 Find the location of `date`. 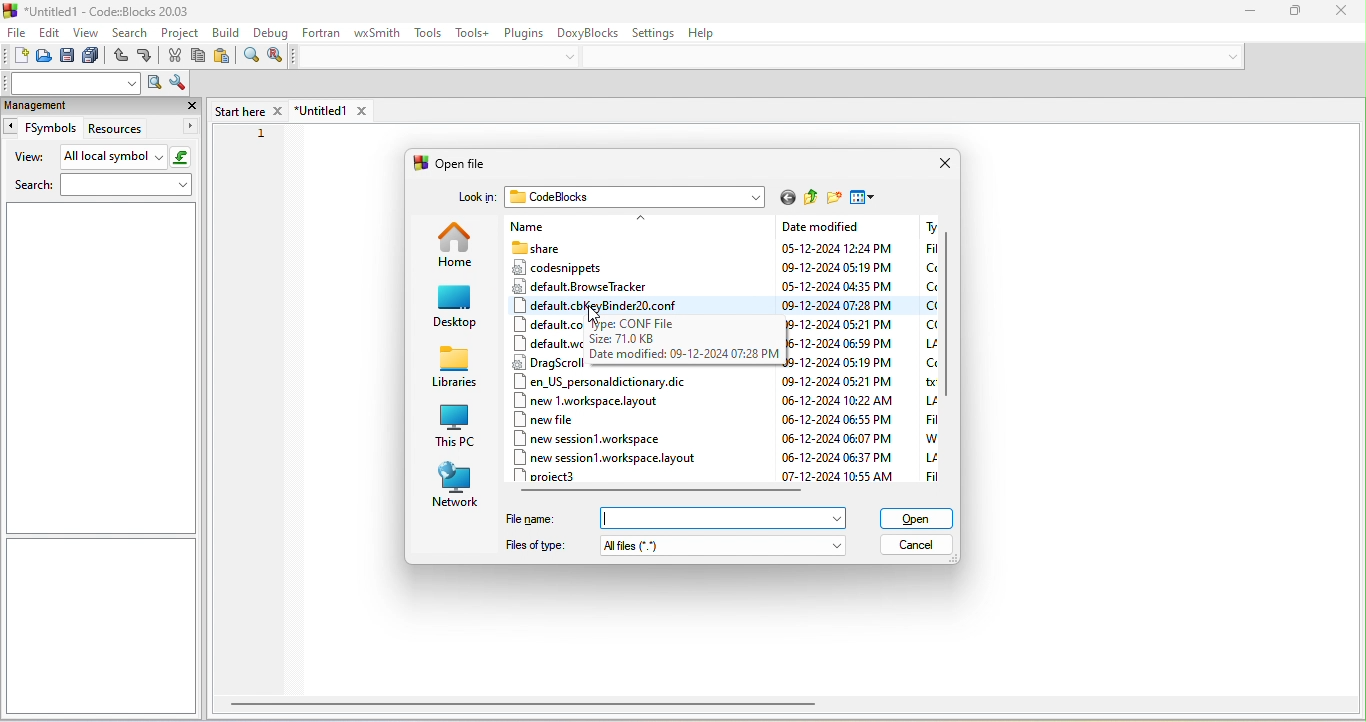

date is located at coordinates (842, 323).